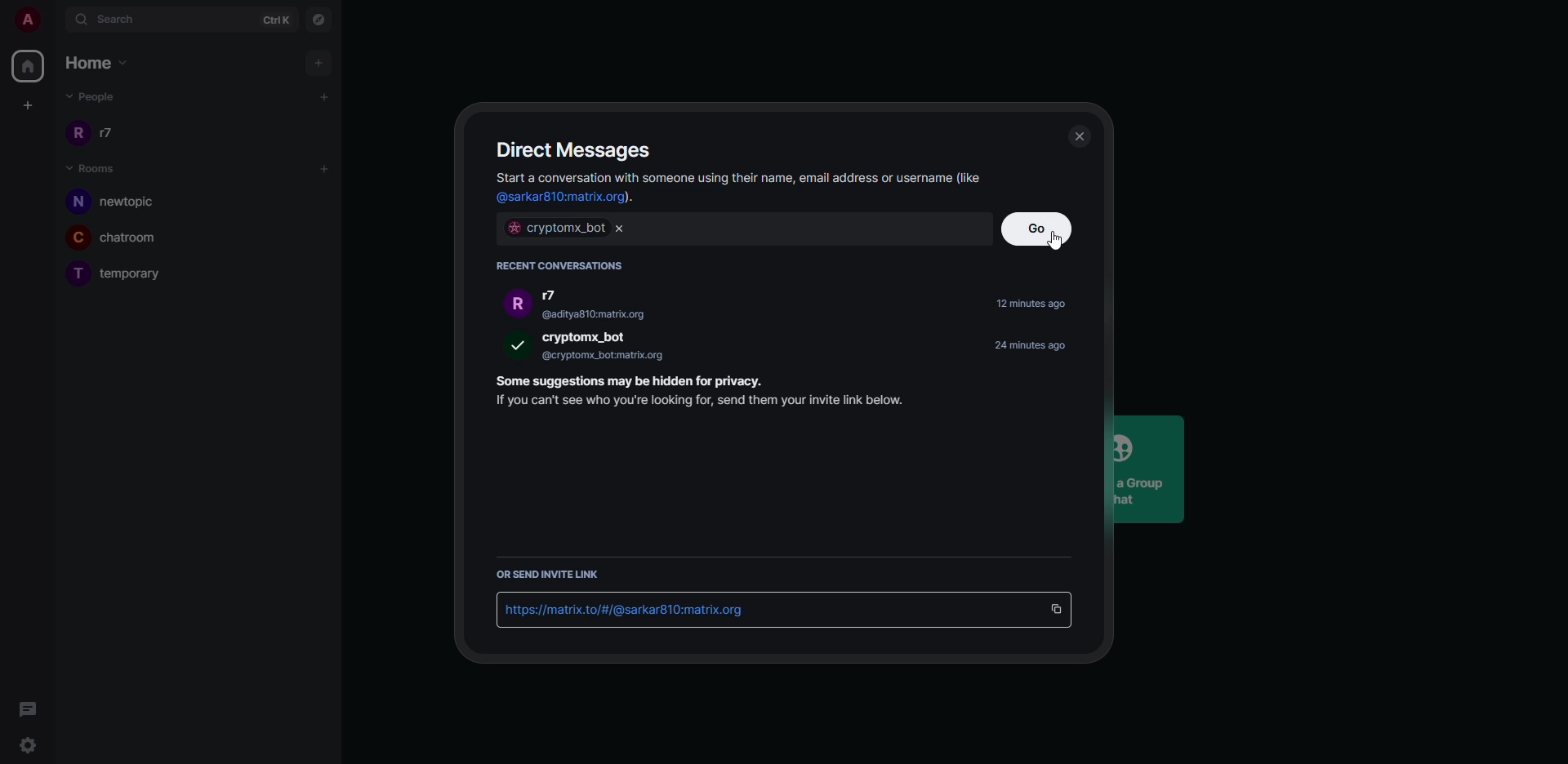  What do you see at coordinates (1040, 229) in the screenshot?
I see `go` at bounding box center [1040, 229].